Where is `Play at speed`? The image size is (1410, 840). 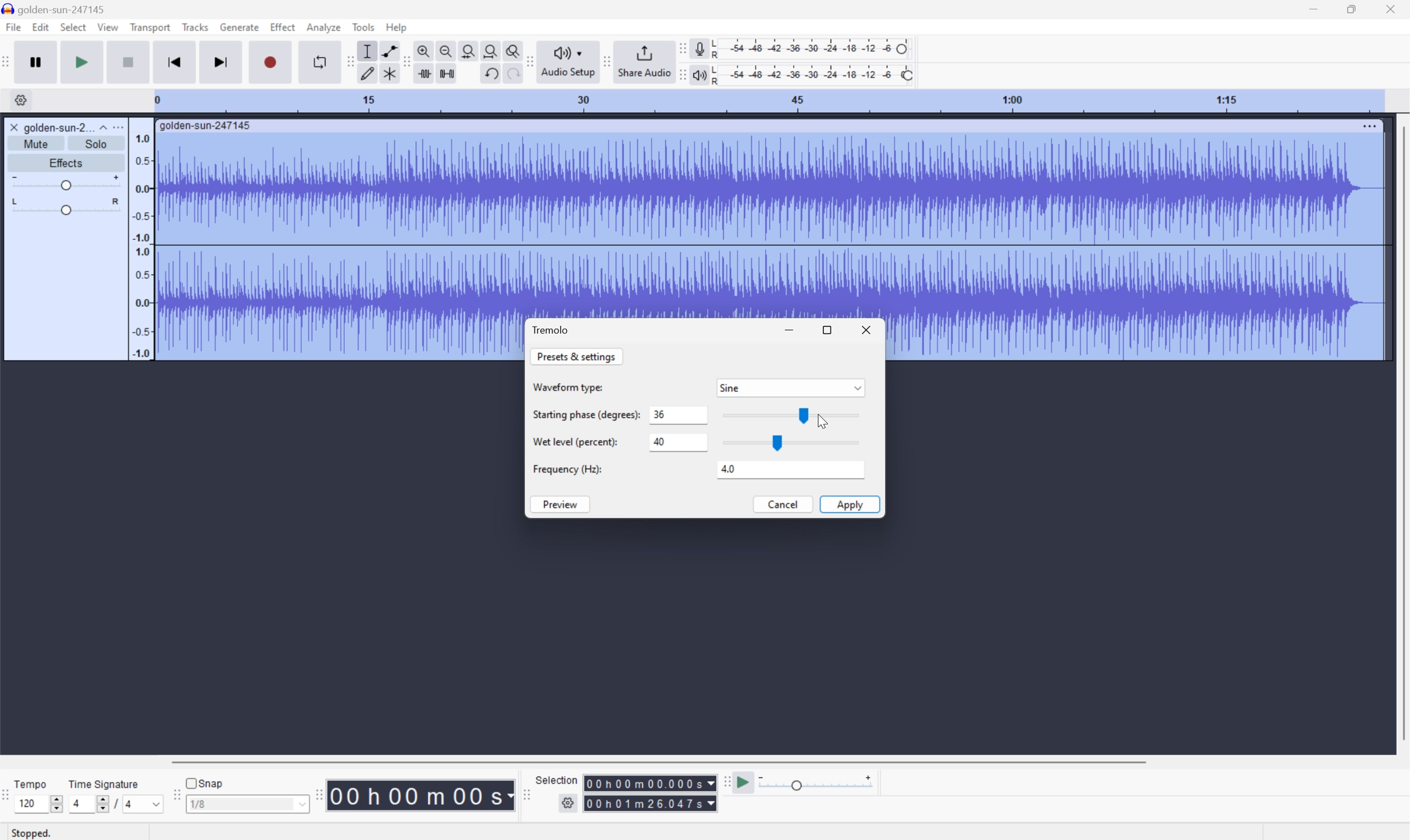 Play at speed is located at coordinates (746, 781).